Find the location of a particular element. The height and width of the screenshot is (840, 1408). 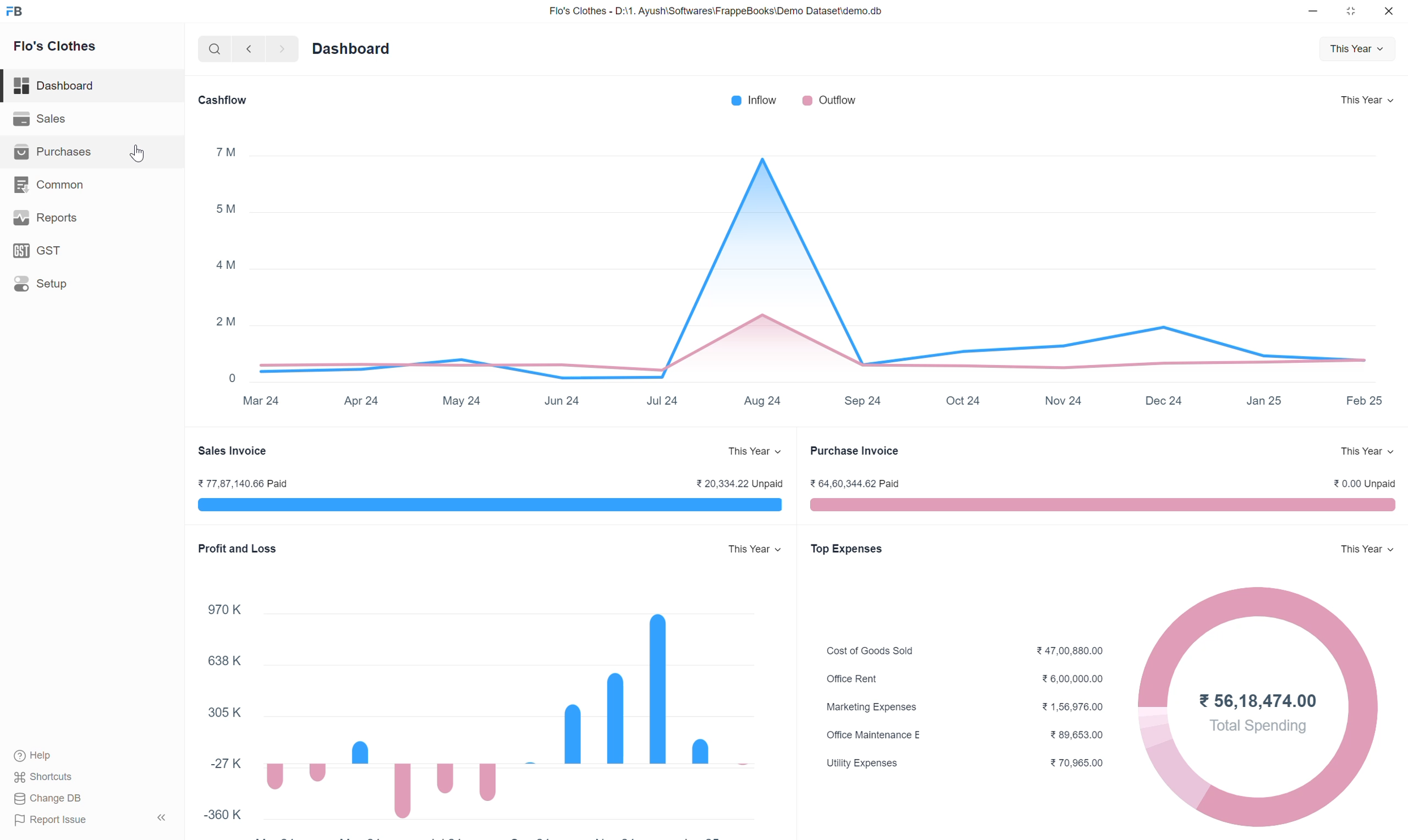

This Year is located at coordinates (1368, 452).